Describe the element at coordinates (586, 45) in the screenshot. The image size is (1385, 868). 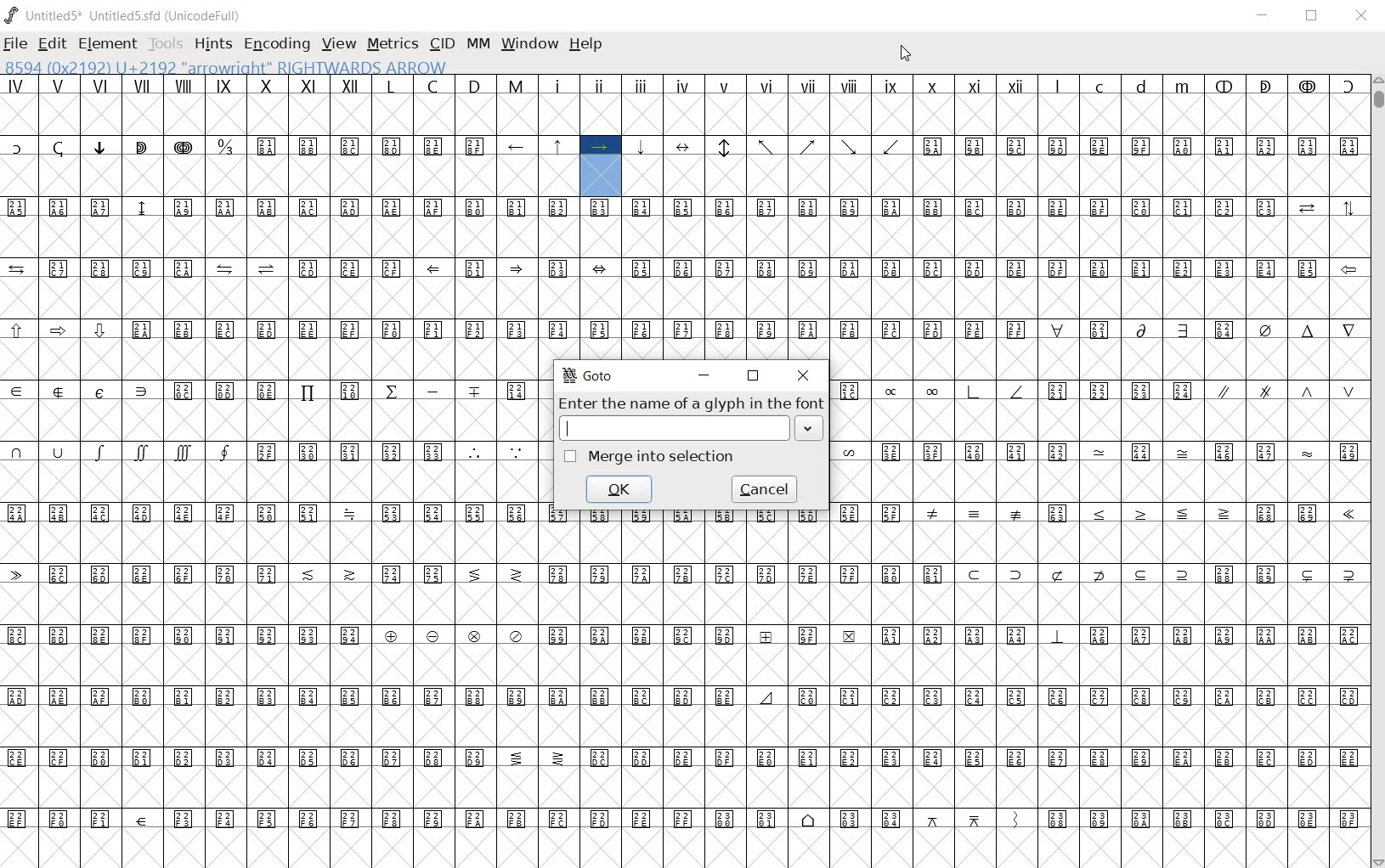
I see `HELP` at that location.